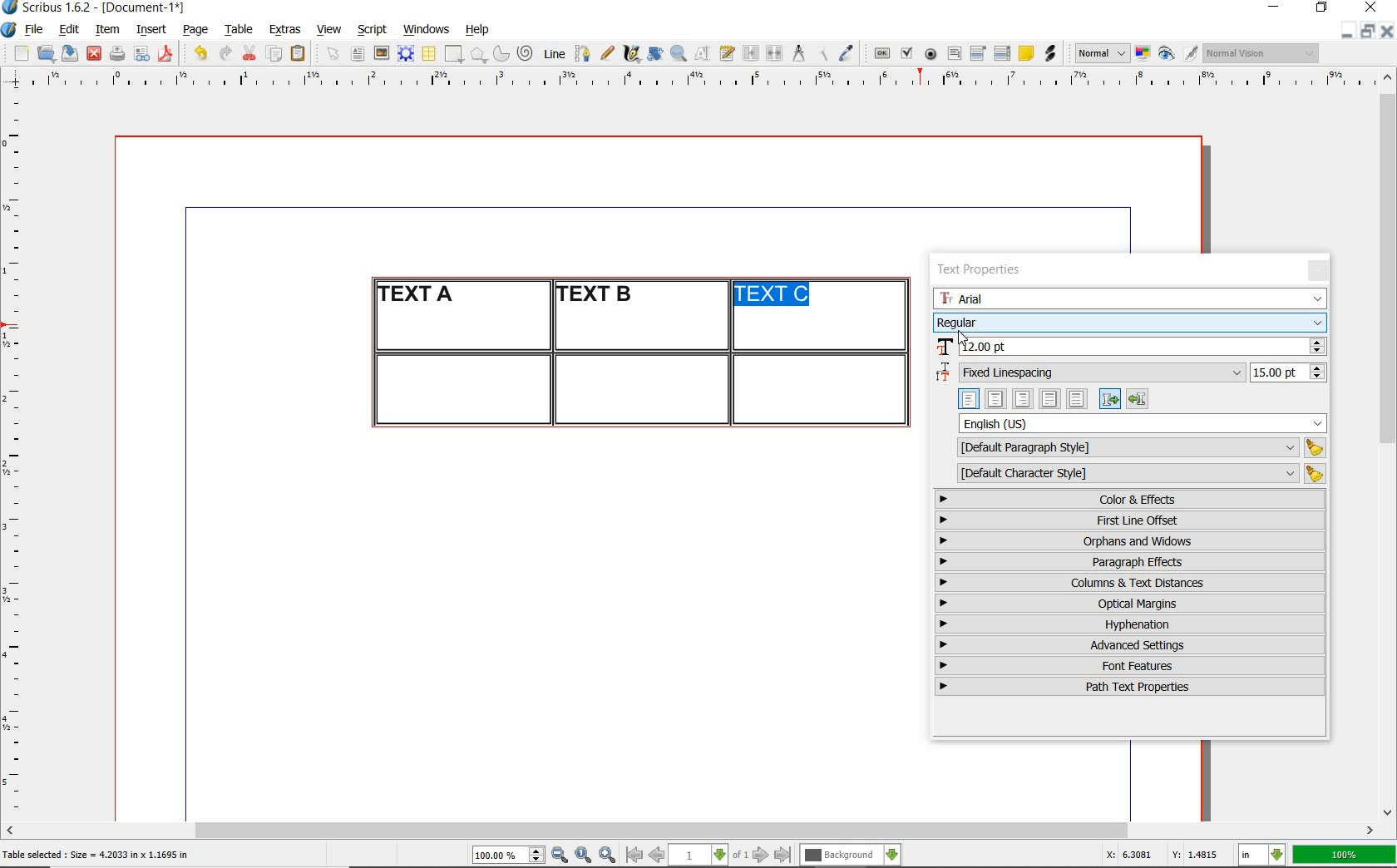  What do you see at coordinates (1143, 423) in the screenshot?
I see `text language` at bounding box center [1143, 423].